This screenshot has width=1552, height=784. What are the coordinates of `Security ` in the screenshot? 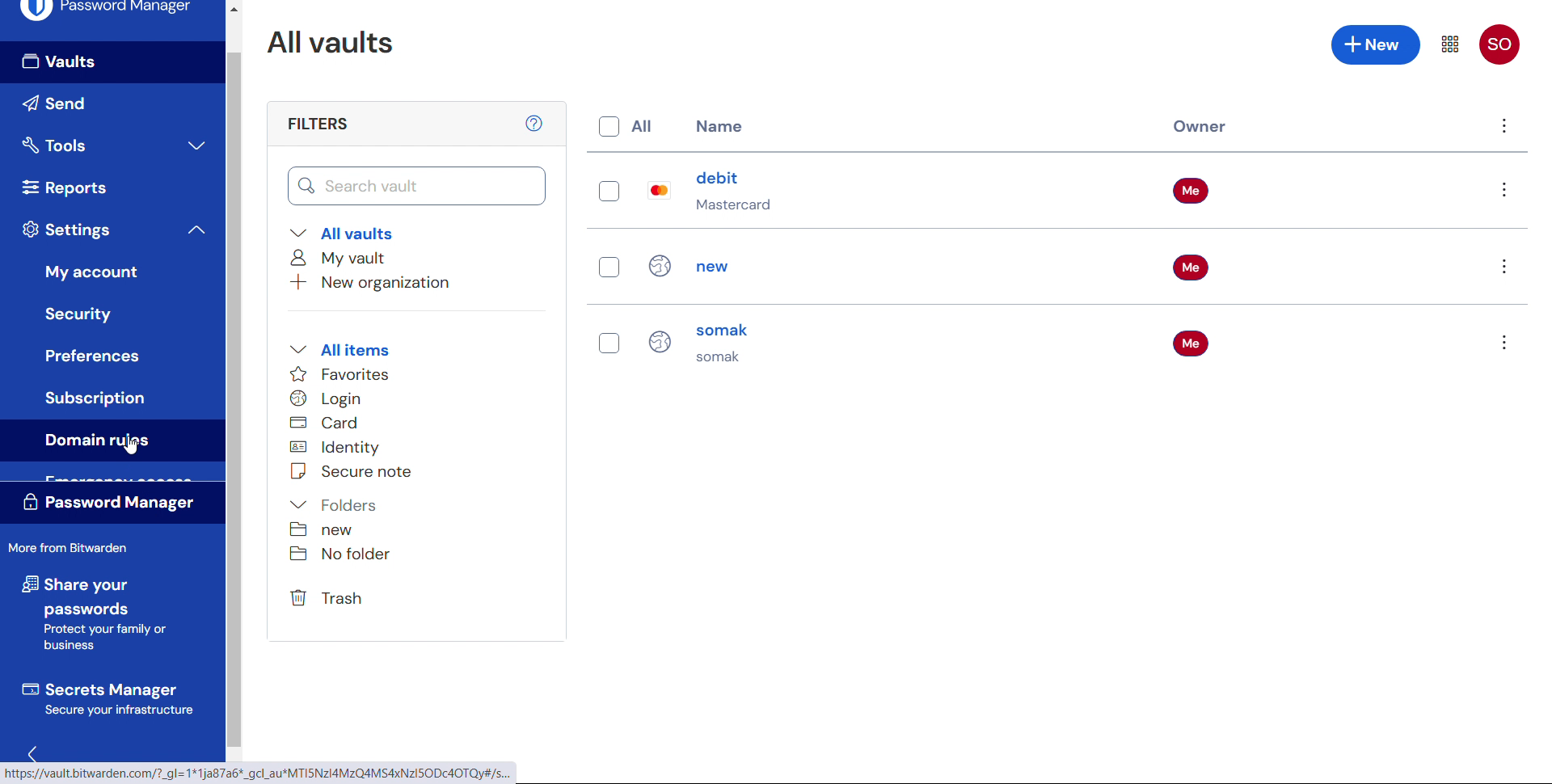 It's located at (84, 313).